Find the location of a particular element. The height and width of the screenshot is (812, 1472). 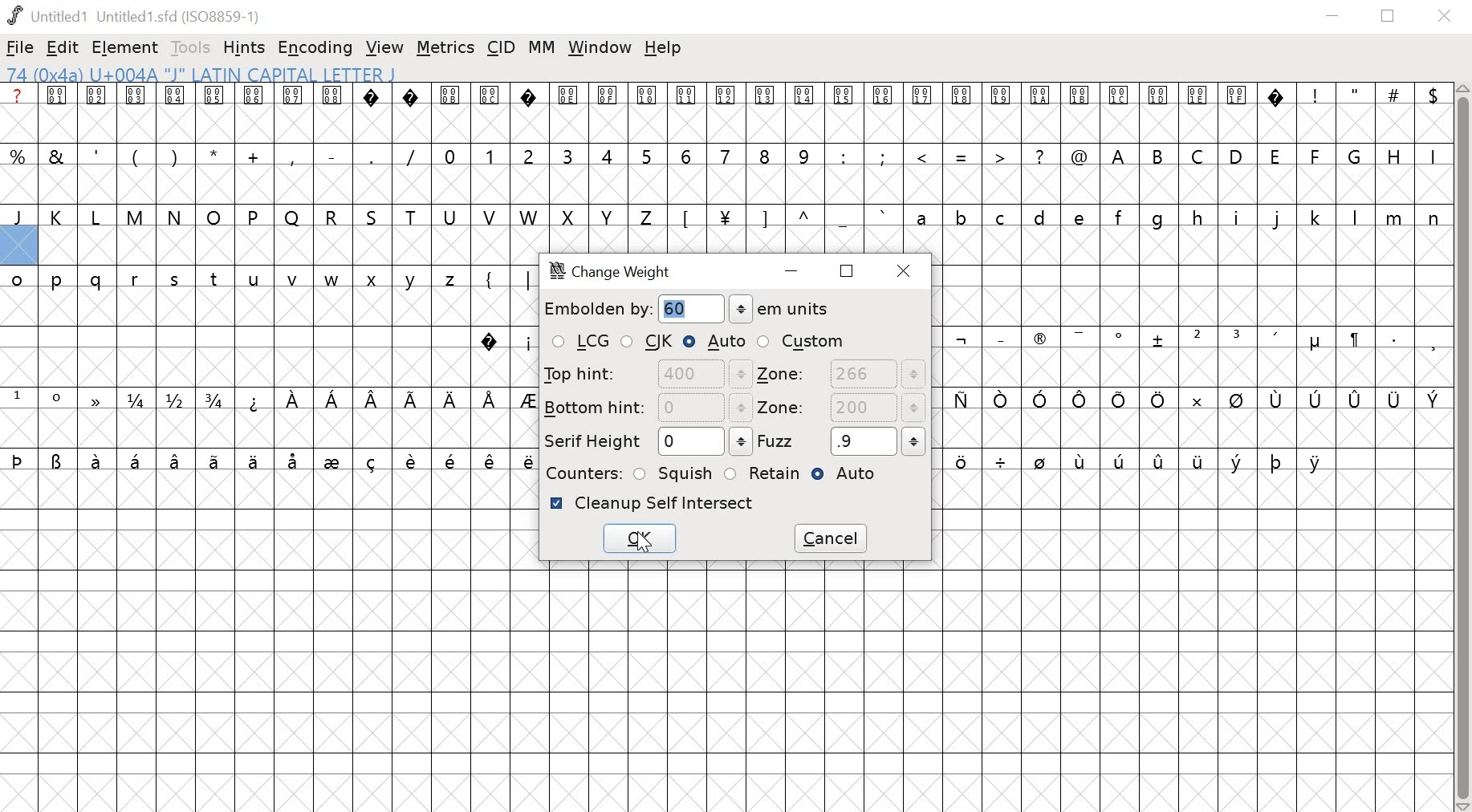

CJK is located at coordinates (649, 343).